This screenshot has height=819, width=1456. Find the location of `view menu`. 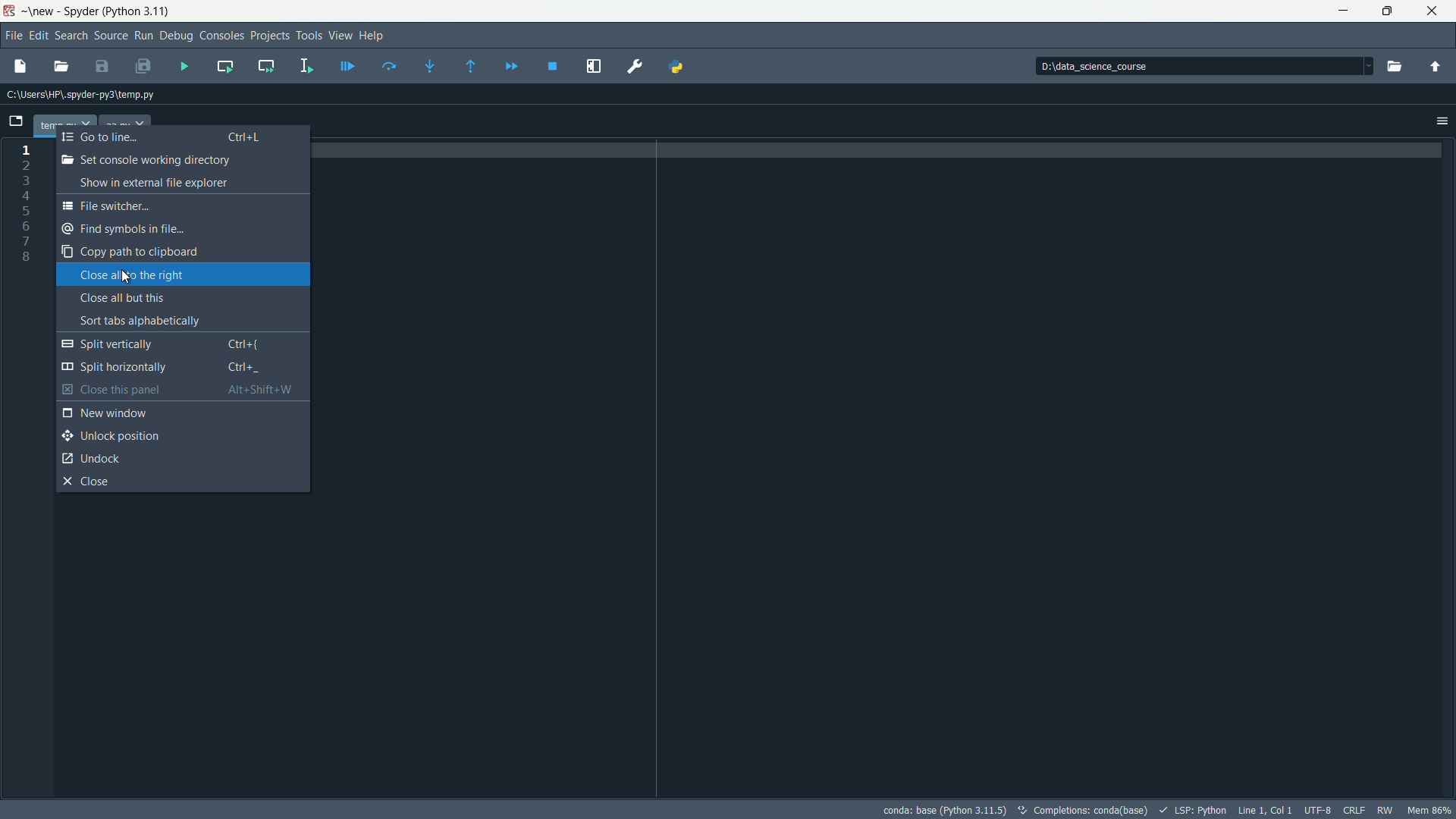

view menu is located at coordinates (340, 36).